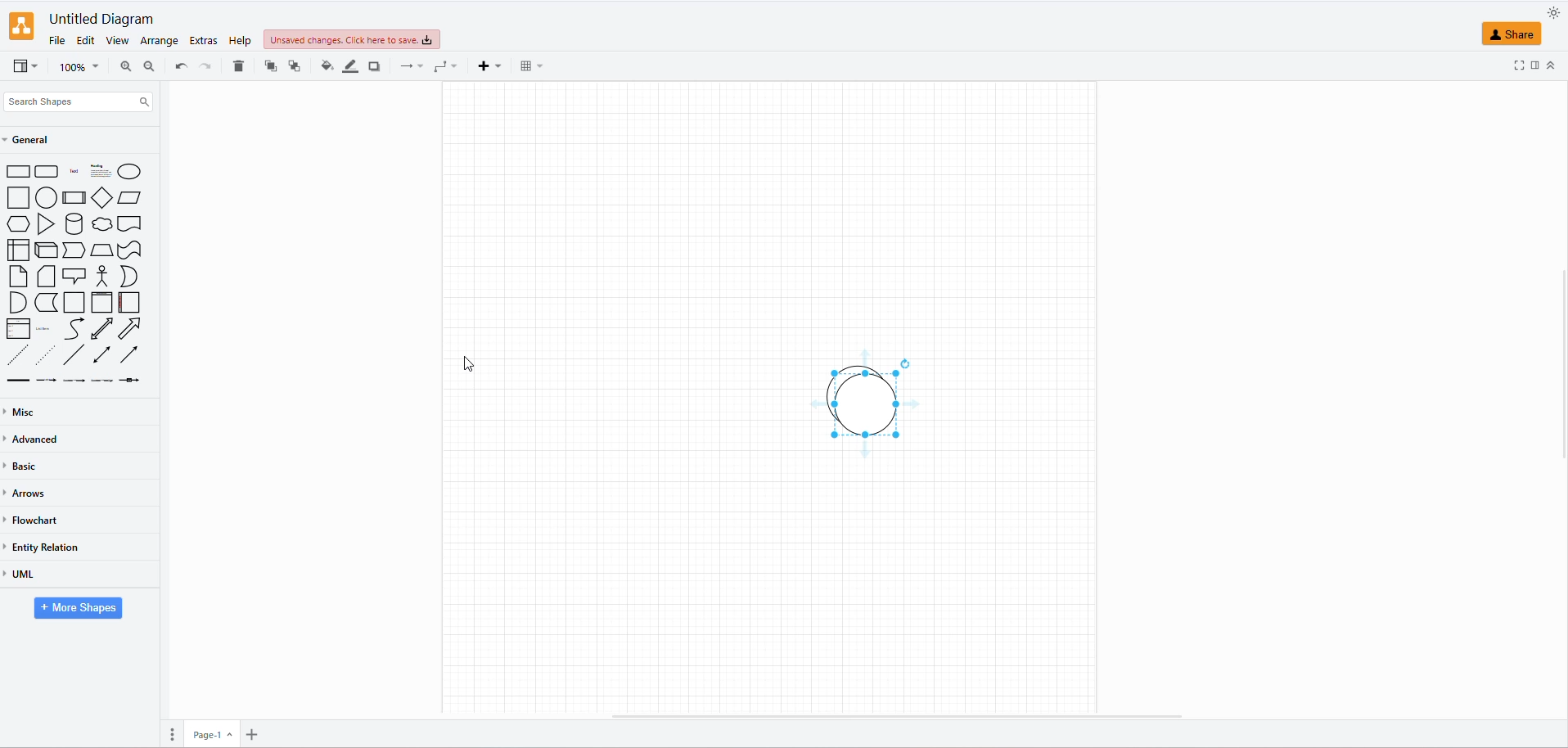  I want to click on DASHED LINE, so click(15, 354).